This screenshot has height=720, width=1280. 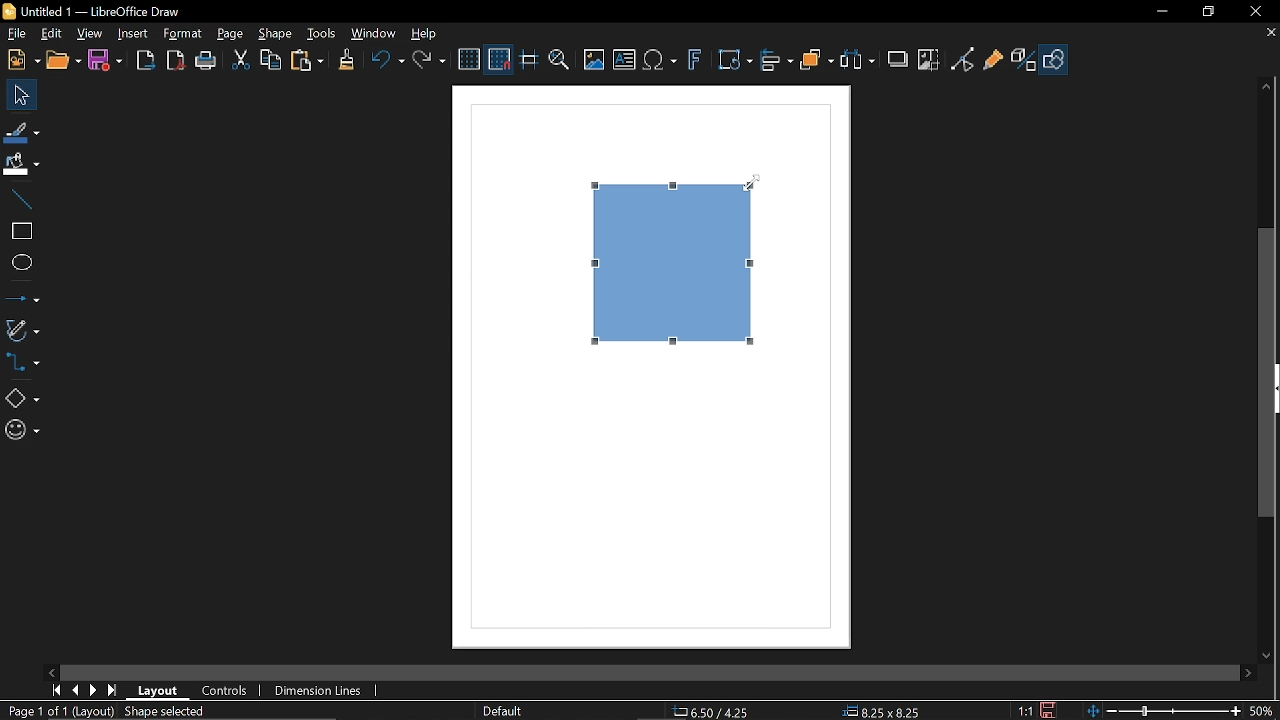 I want to click on Transformations, so click(x=735, y=61).